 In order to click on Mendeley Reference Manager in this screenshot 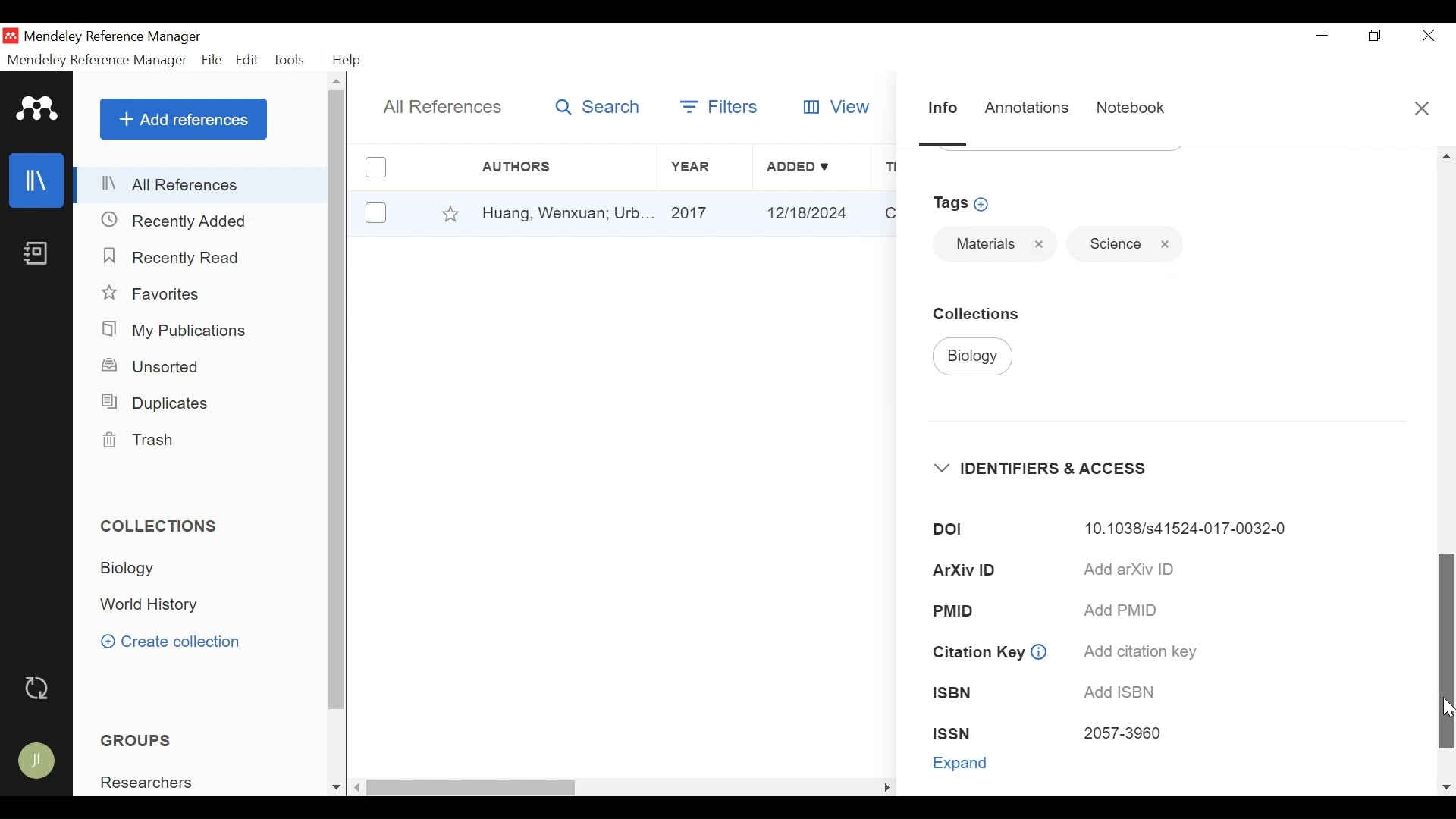, I will do `click(118, 37)`.